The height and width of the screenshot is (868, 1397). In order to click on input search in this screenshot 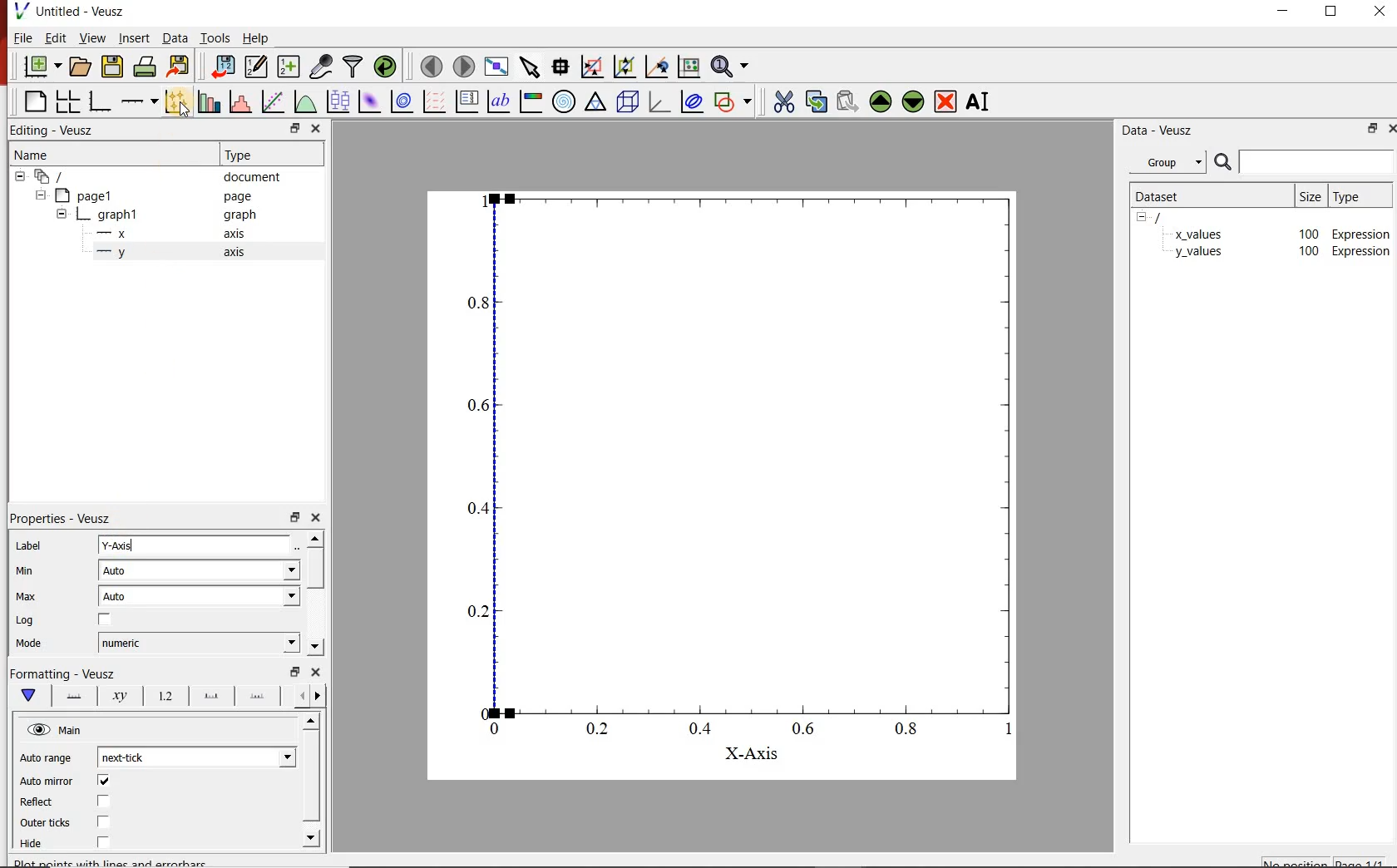, I will do `click(1316, 161)`.